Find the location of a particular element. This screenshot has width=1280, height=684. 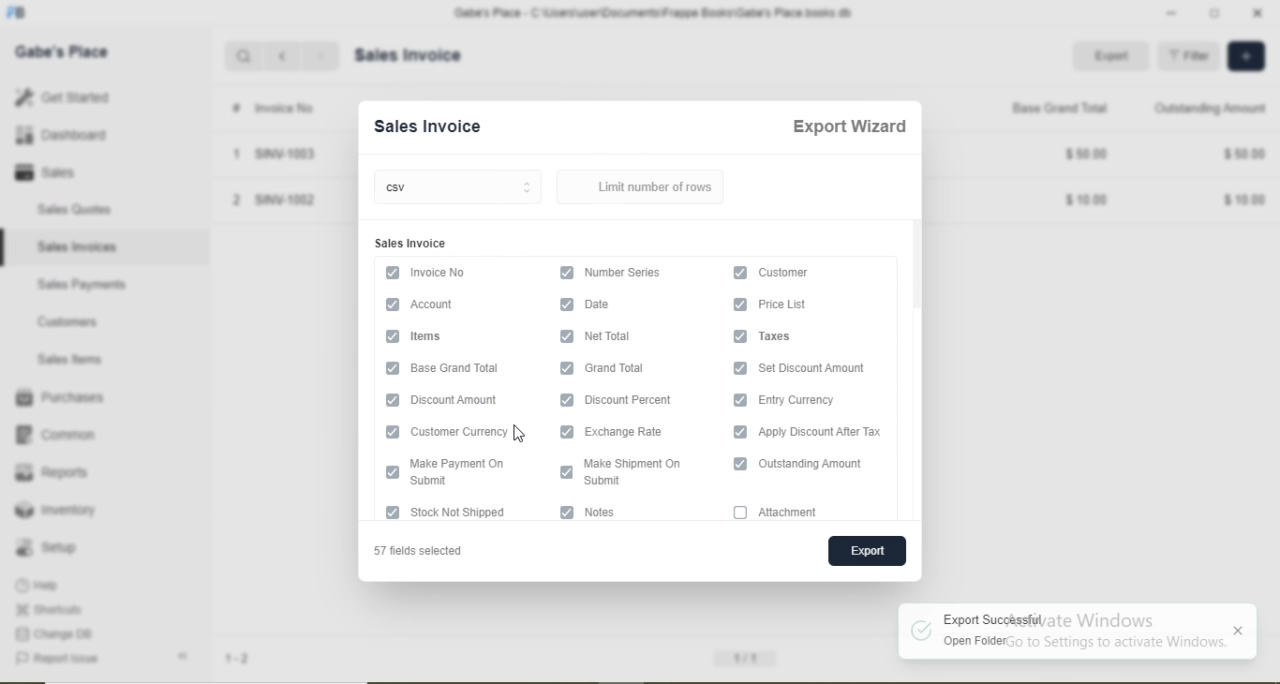

Base Grand Total is located at coordinates (1052, 107).